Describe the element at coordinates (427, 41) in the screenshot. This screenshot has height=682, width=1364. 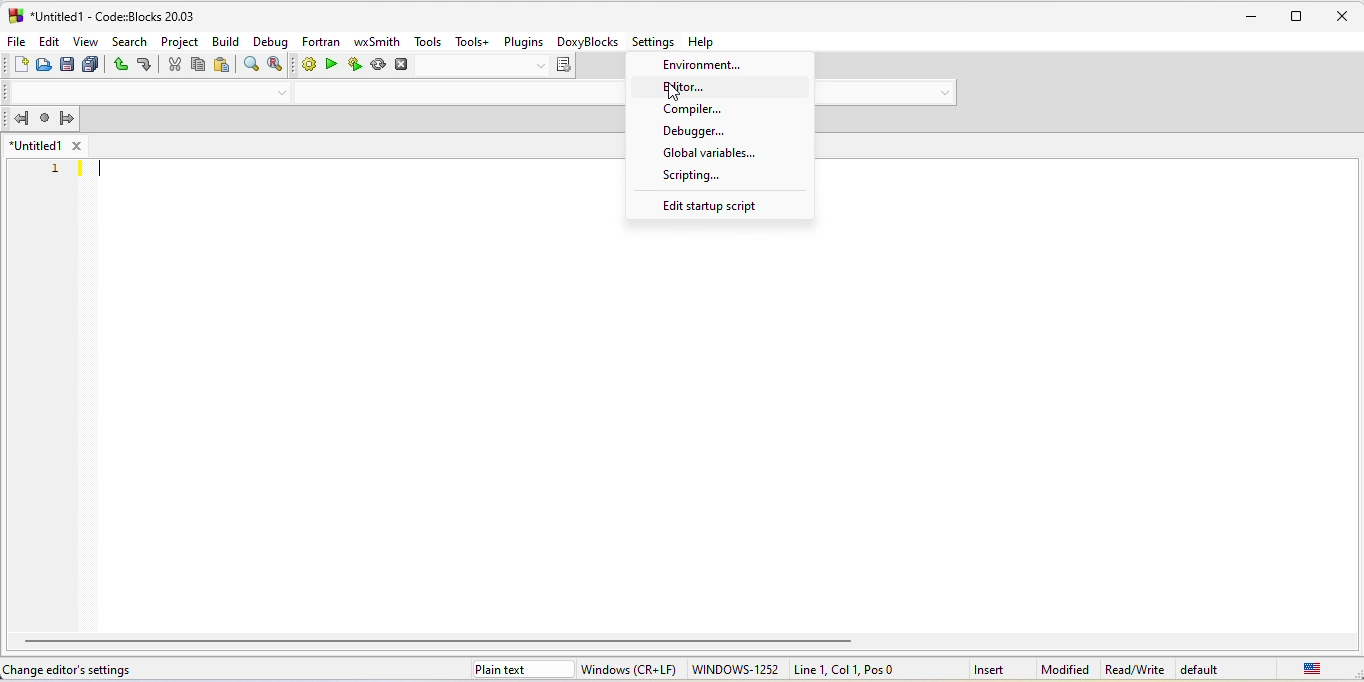
I see `tools` at that location.